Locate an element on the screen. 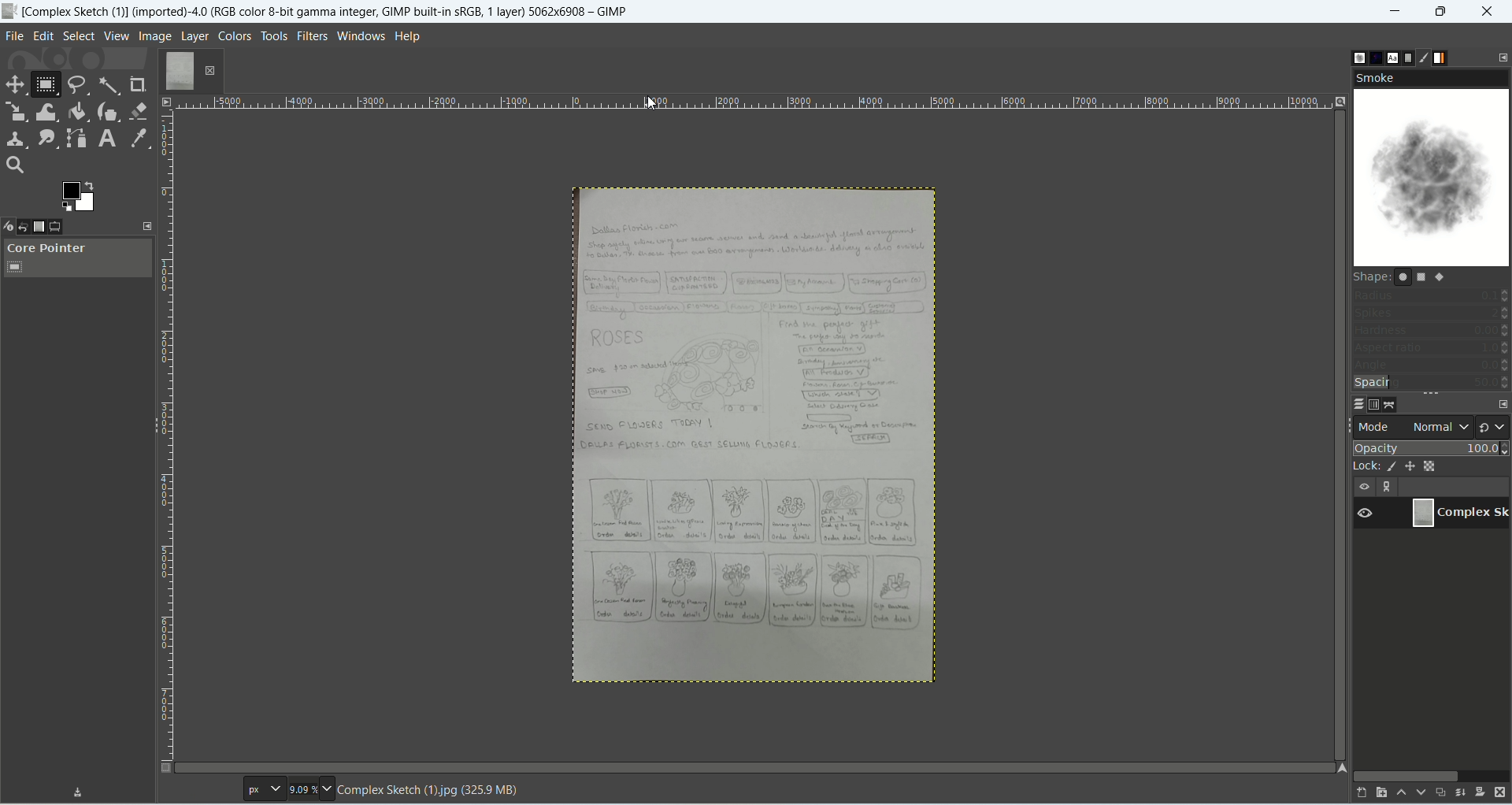  [Complex Sketch (1)] (imported)-4.0 (RGB color 8-bit gamma integer, GIMP built-in sRGB, 1 layer) 5062x6908 — GIMP is located at coordinates (324, 12).